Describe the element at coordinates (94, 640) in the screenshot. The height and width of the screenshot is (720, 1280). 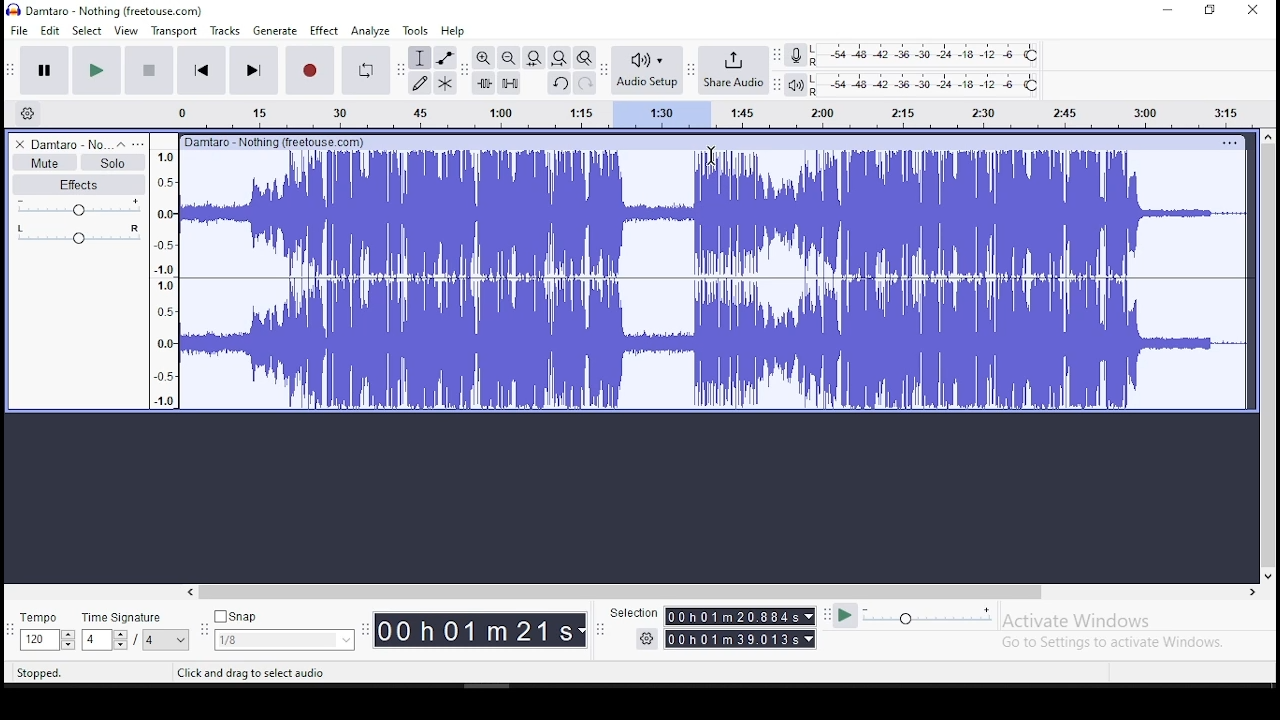
I see `4` at that location.